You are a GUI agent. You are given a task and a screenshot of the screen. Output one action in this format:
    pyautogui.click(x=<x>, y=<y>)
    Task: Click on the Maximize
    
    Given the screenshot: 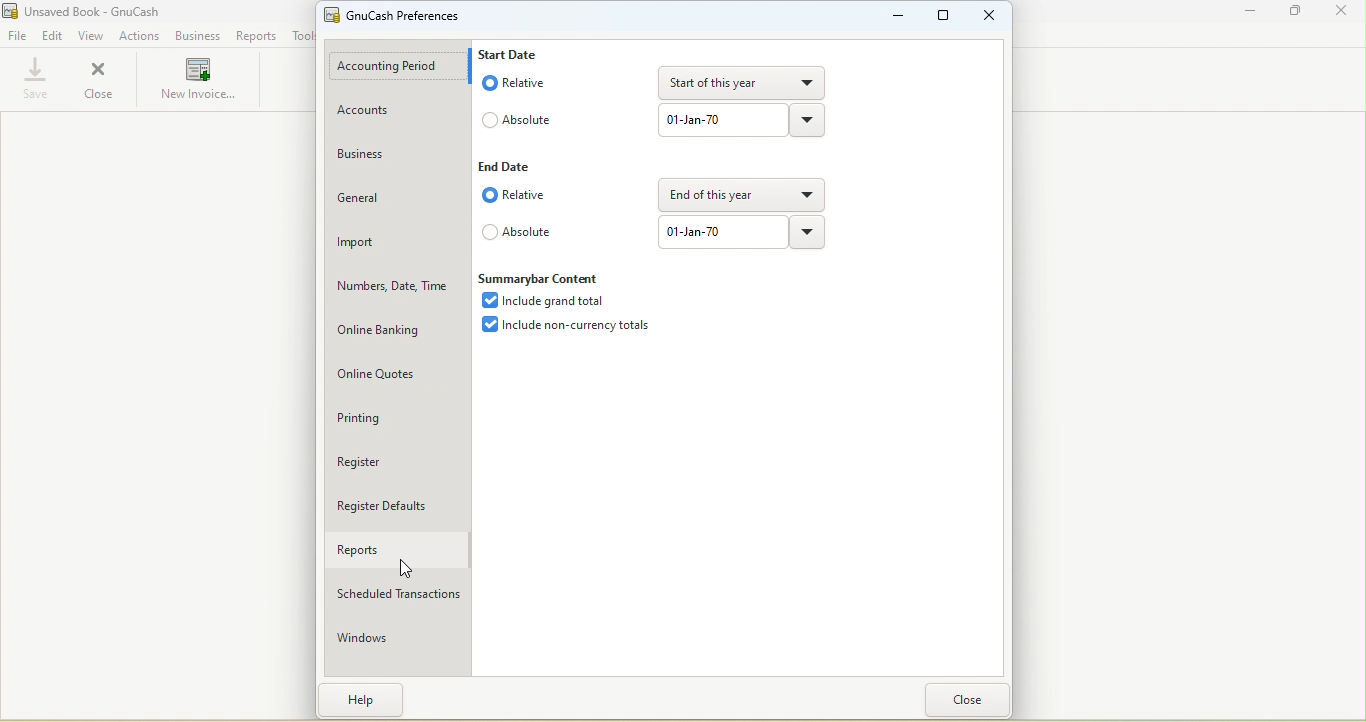 What is the action you would take?
    pyautogui.click(x=947, y=17)
    